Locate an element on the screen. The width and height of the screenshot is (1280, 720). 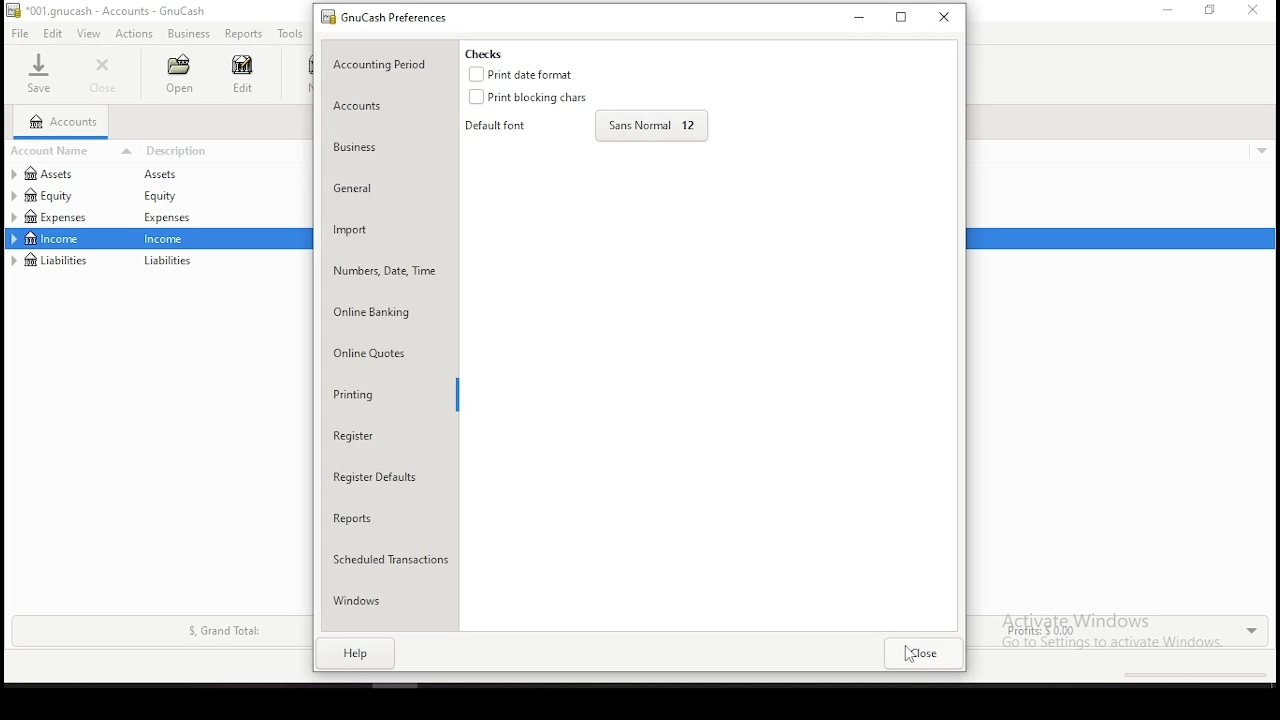
business is located at coordinates (189, 33).